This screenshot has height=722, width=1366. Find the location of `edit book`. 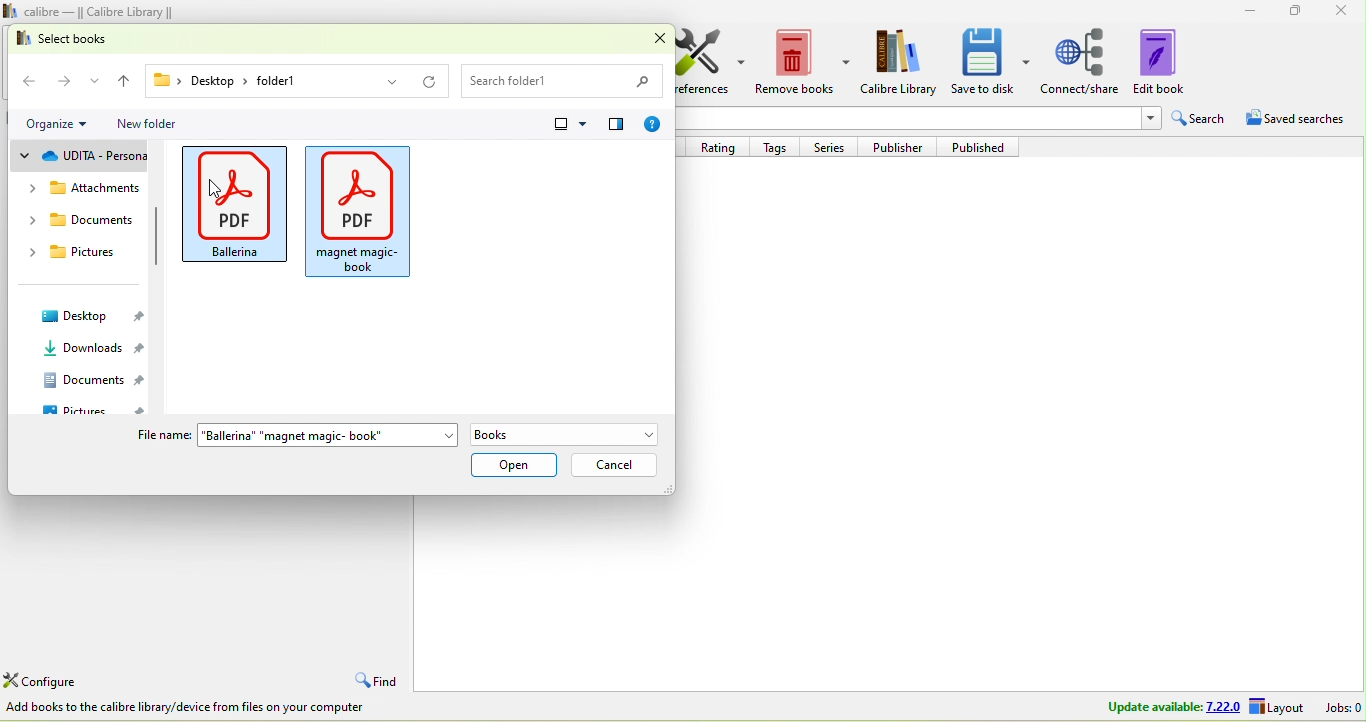

edit book is located at coordinates (1164, 63).